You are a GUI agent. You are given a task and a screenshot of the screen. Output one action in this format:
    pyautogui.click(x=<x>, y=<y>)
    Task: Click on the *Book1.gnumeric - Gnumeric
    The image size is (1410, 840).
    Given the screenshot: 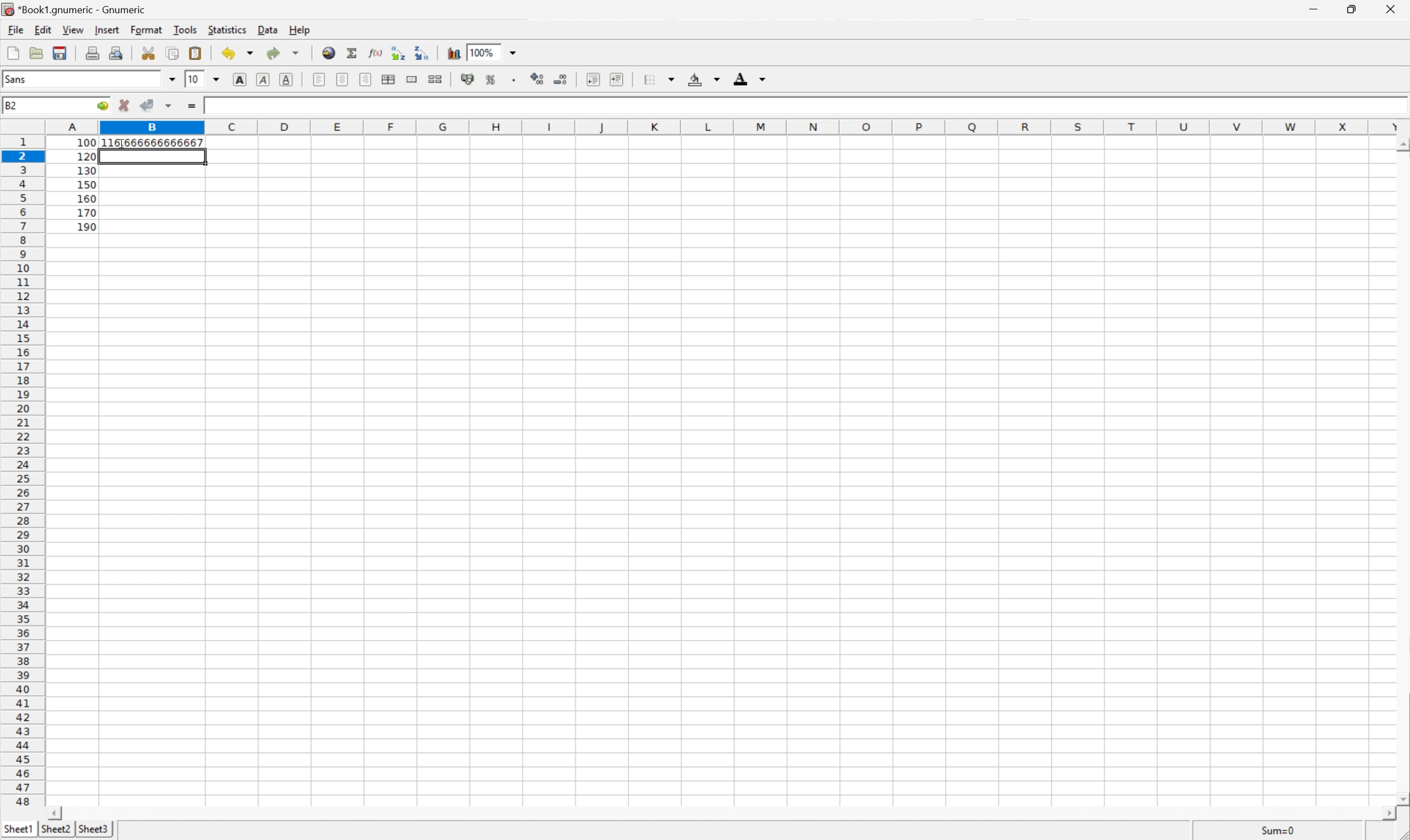 What is the action you would take?
    pyautogui.click(x=78, y=8)
    